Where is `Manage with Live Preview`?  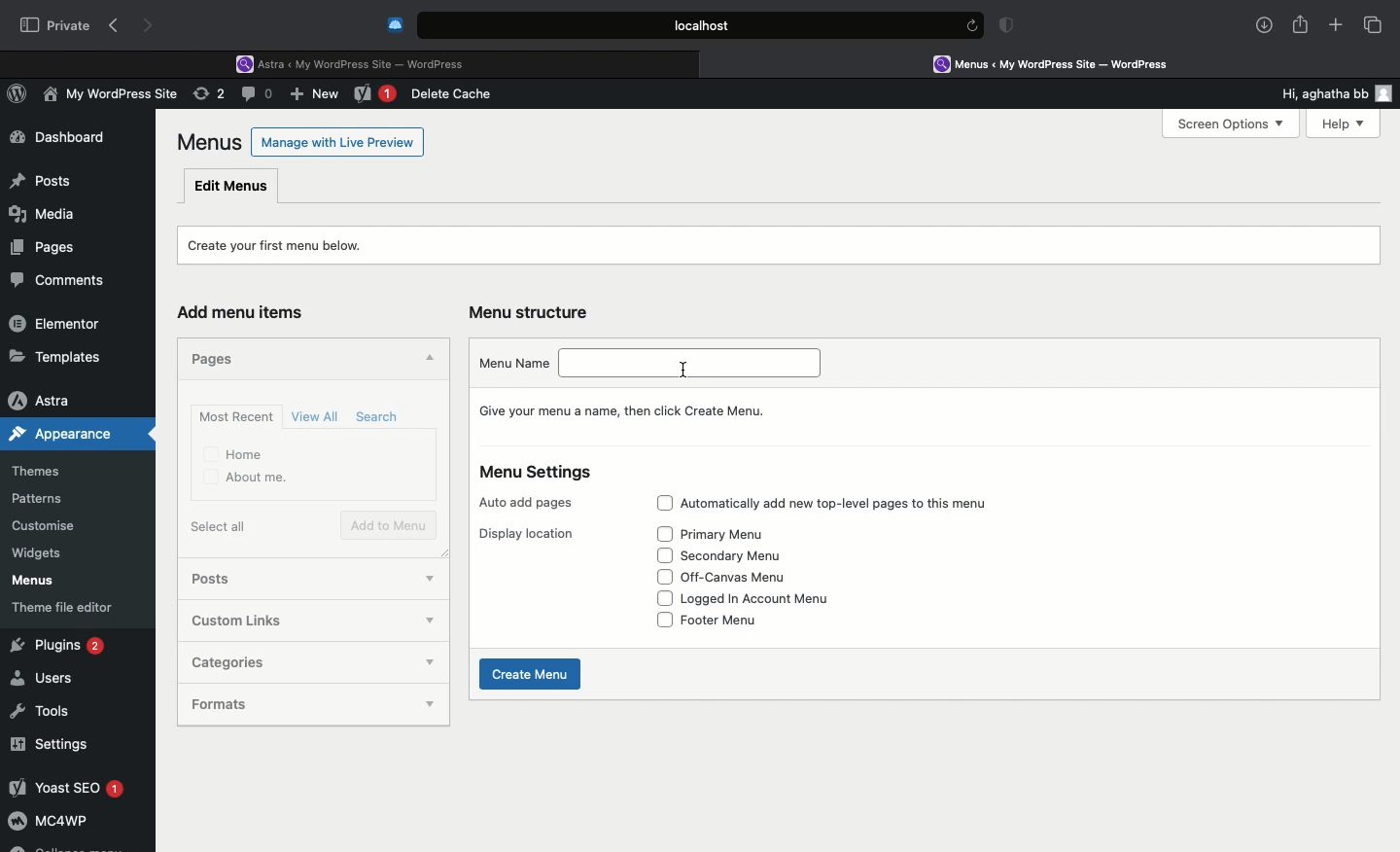
Manage with Live Preview is located at coordinates (338, 141).